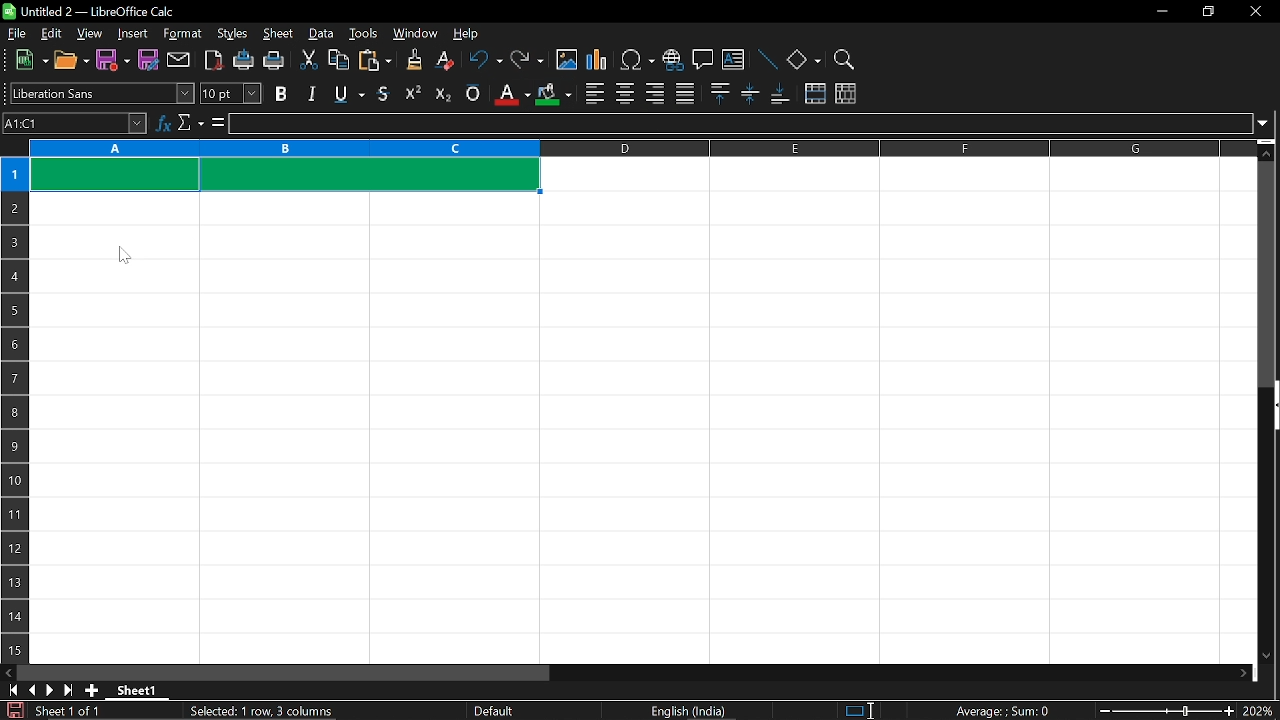 Image resolution: width=1280 pixels, height=720 pixels. I want to click on paste, so click(374, 61).